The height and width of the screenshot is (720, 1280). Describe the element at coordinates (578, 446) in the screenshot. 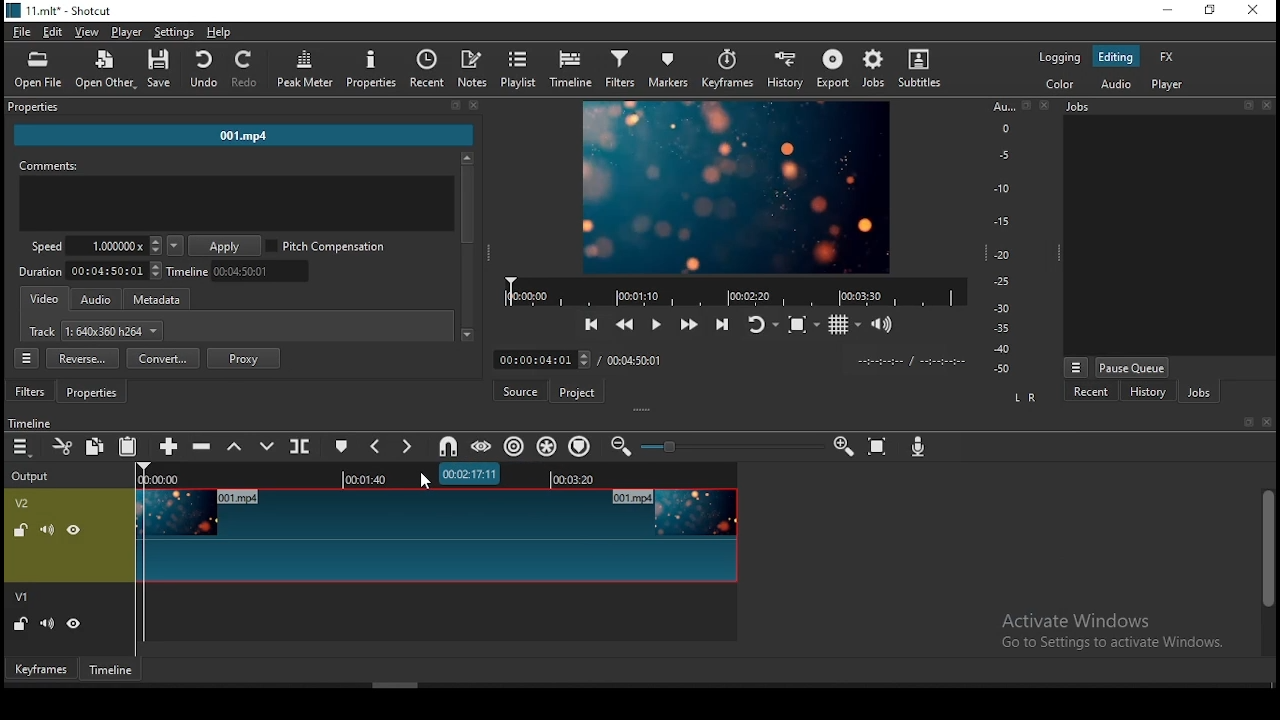

I see `ripple markers` at that location.